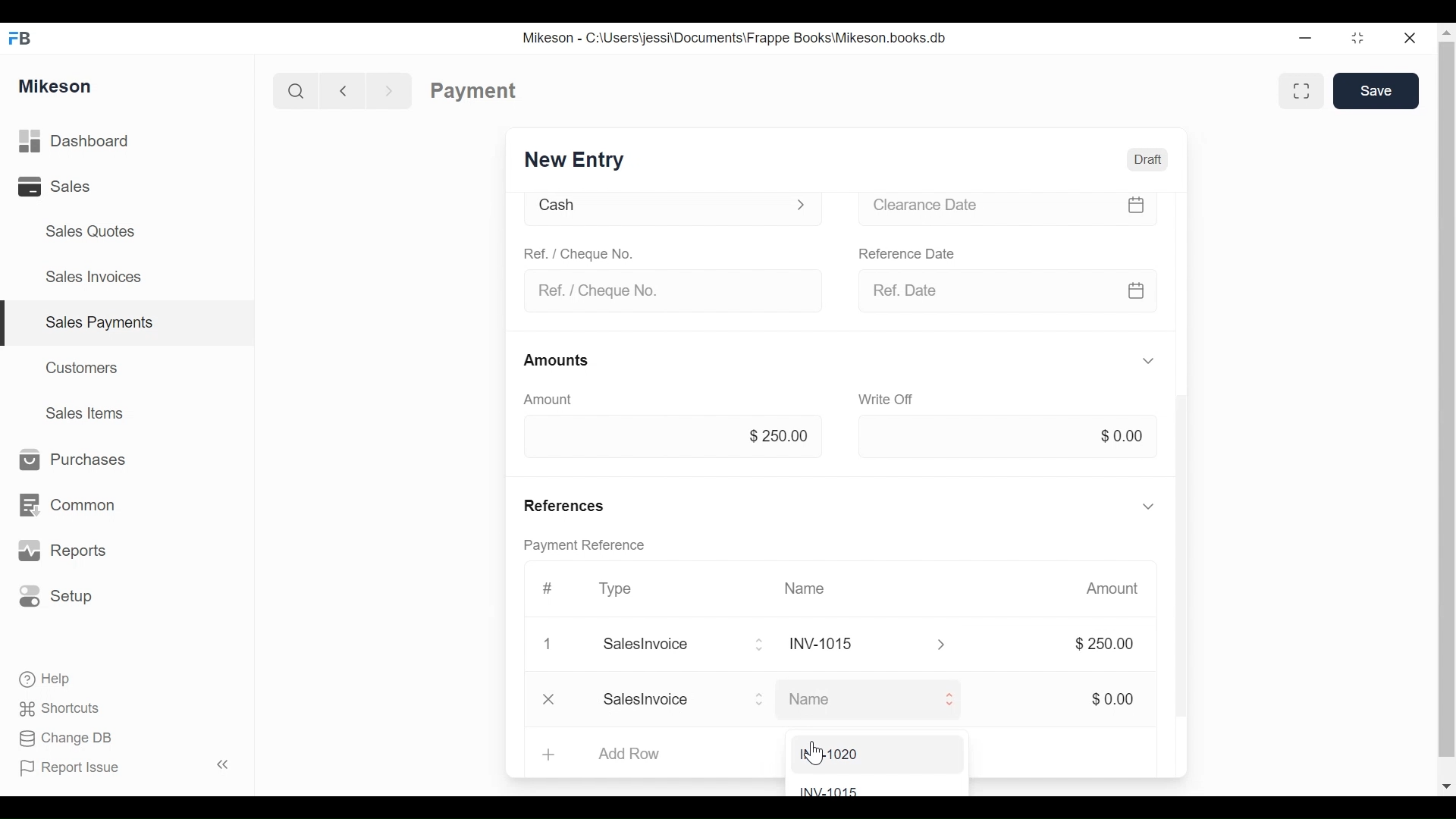 Image resolution: width=1456 pixels, height=819 pixels. Describe the element at coordinates (1119, 700) in the screenshot. I see `$0.00` at that location.